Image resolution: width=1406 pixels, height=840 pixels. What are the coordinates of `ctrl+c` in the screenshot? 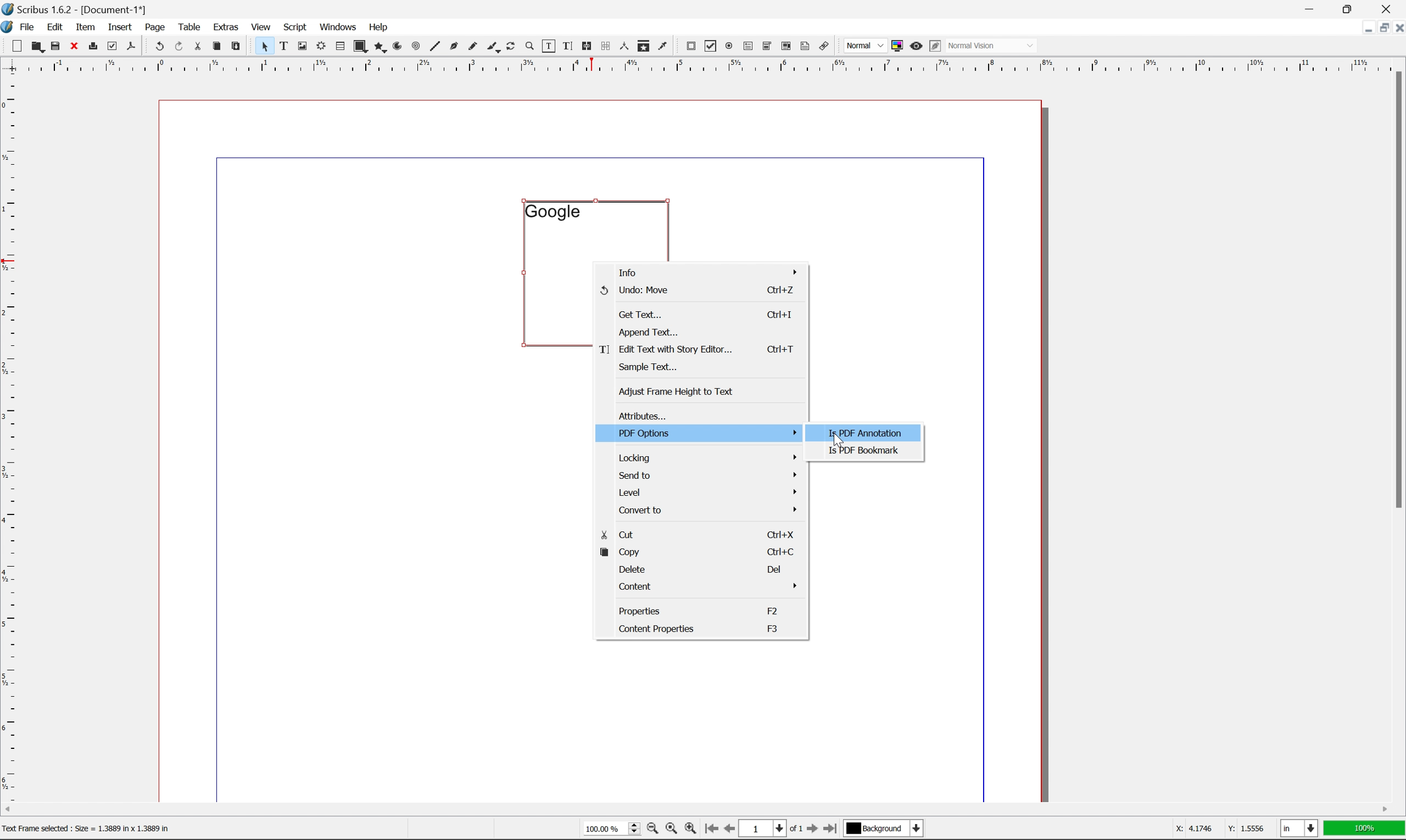 It's located at (778, 552).